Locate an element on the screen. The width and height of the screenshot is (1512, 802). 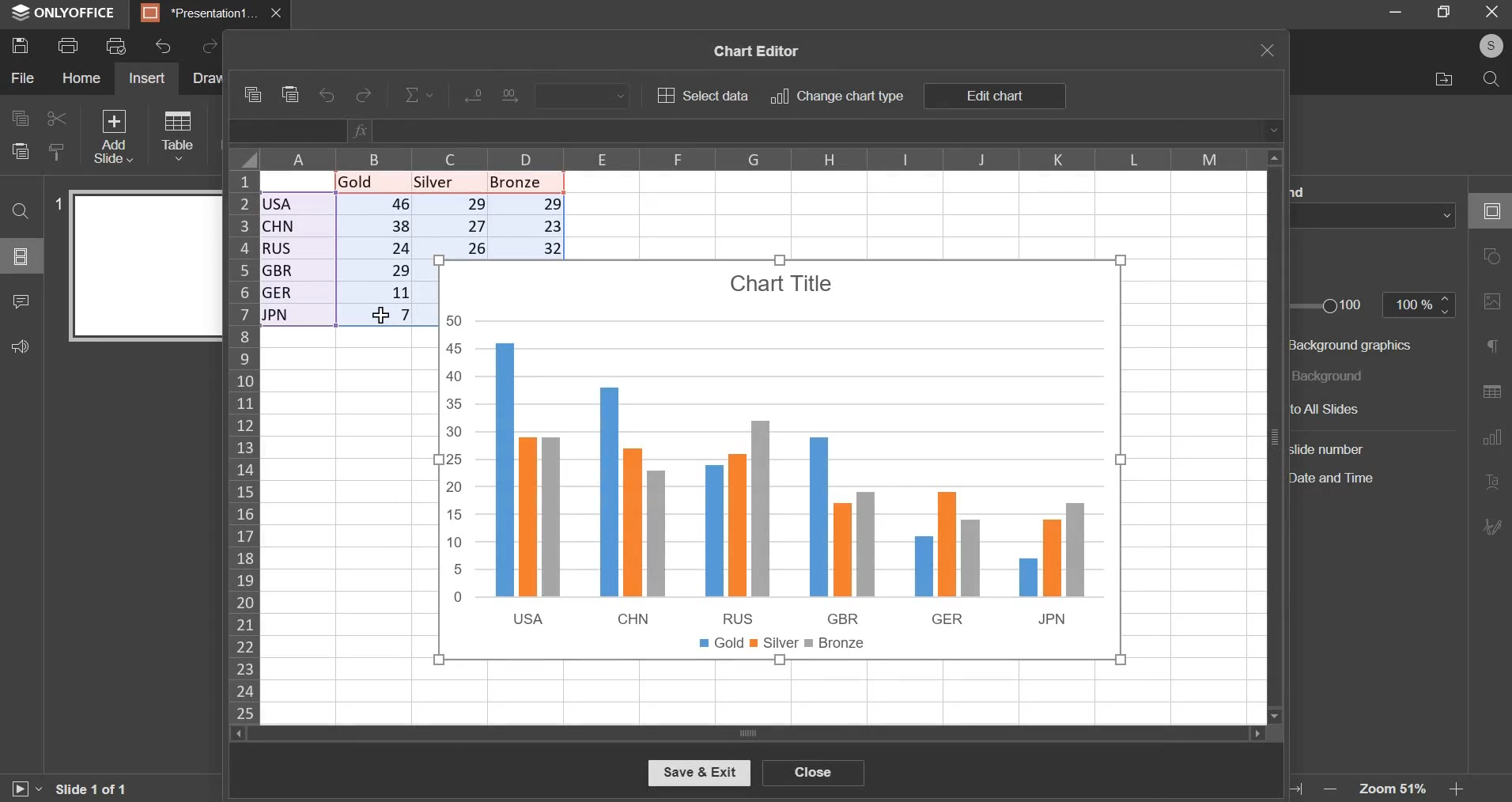
start slide show is located at coordinates (25, 789).